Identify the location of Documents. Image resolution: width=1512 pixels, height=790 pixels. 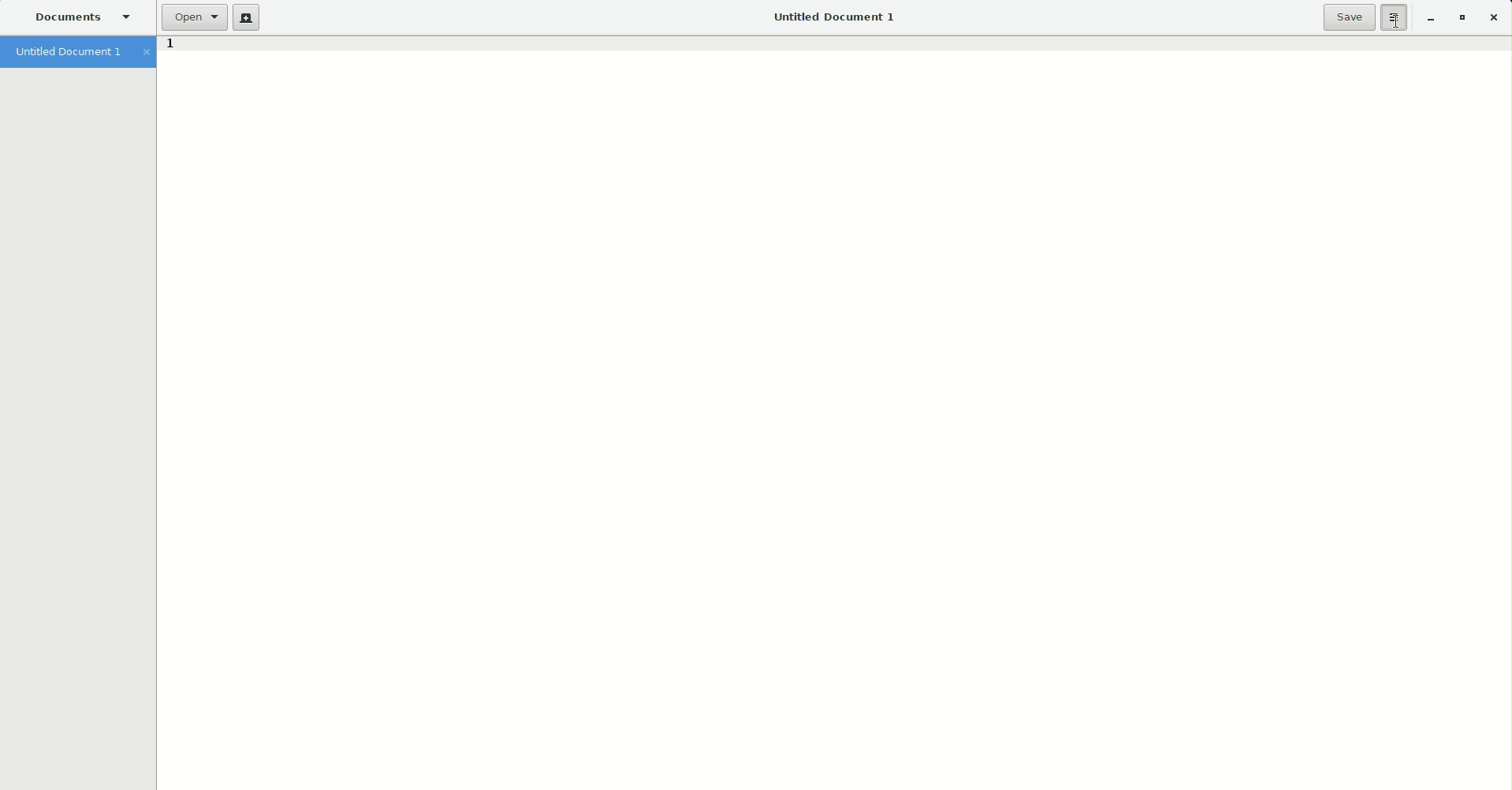
(84, 17).